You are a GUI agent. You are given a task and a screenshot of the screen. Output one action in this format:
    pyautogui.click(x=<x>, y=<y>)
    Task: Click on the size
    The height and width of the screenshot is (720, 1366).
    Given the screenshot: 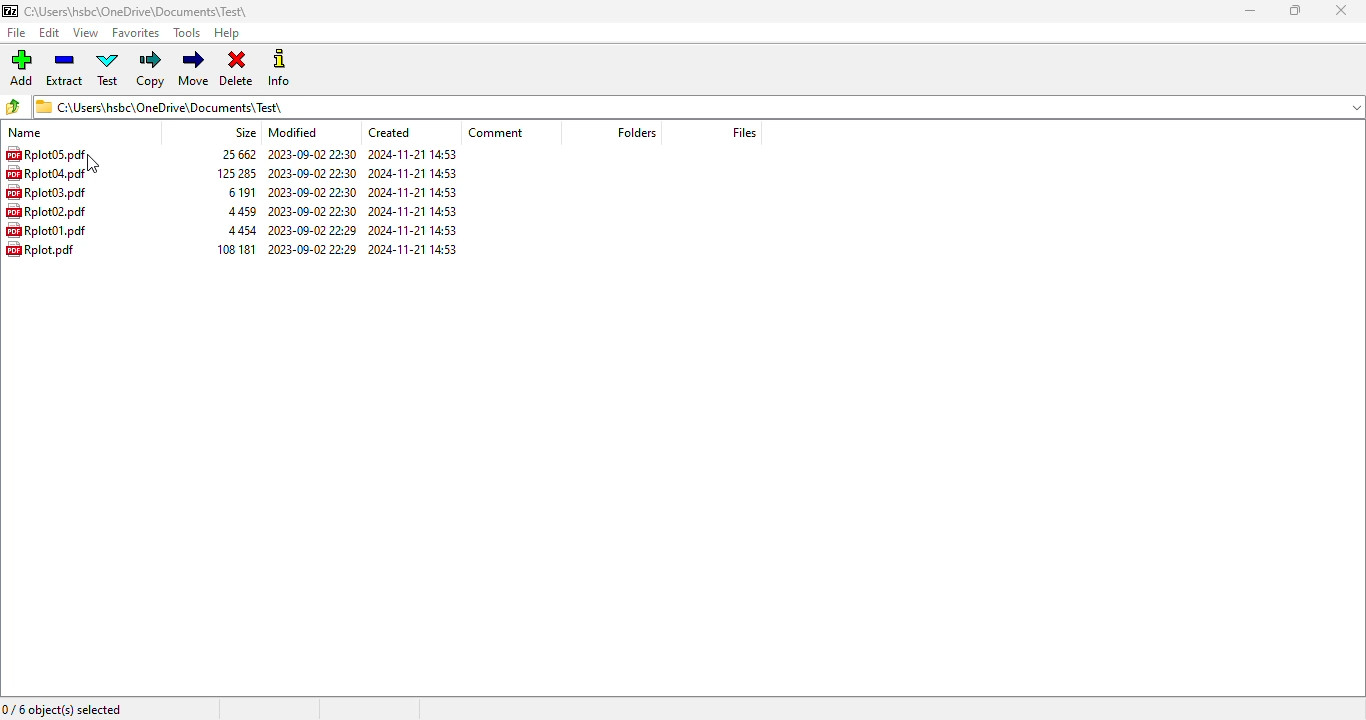 What is the action you would take?
    pyautogui.click(x=238, y=173)
    